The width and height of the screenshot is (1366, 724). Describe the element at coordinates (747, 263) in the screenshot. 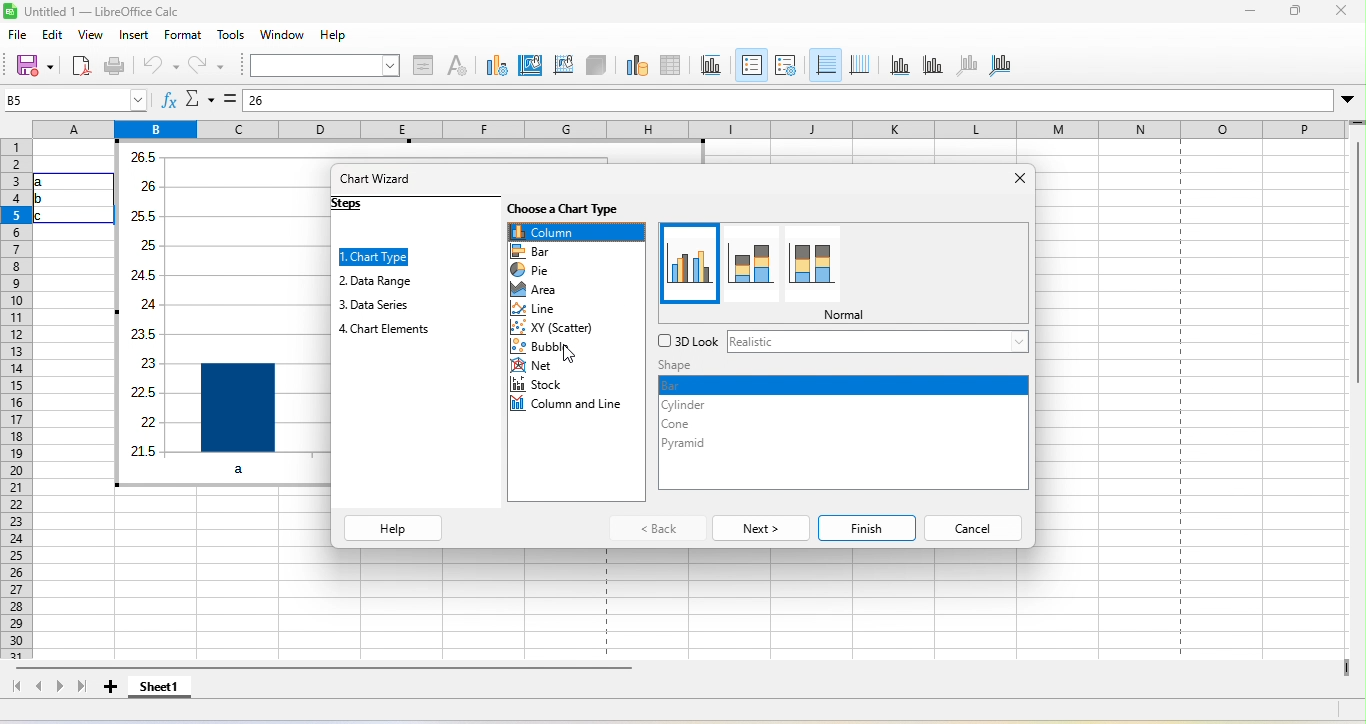

I see `stacked` at that location.